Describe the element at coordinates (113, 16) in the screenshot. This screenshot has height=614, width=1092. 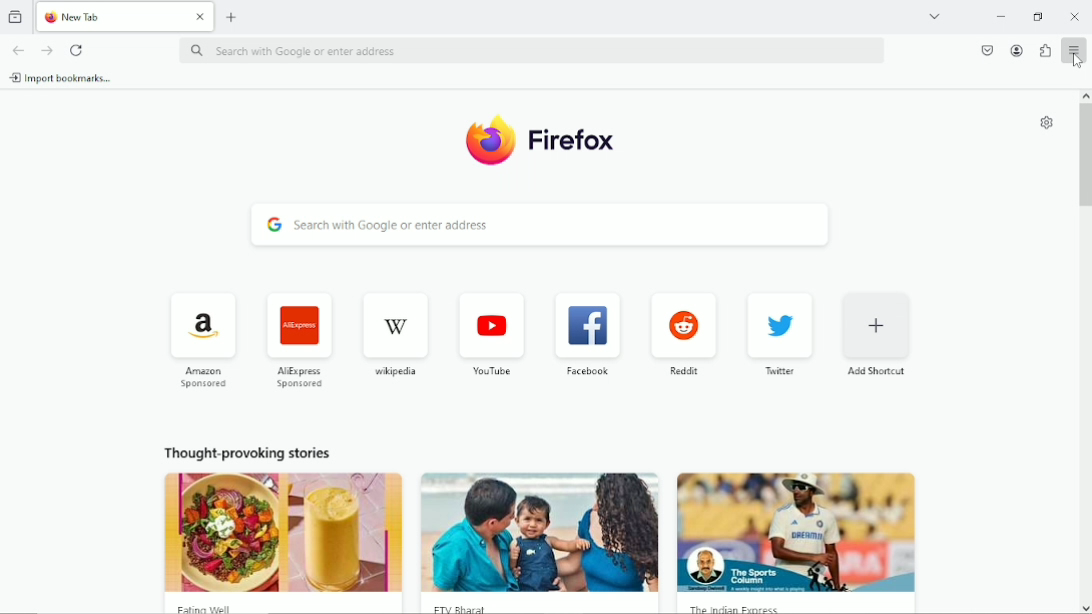
I see `New Tab` at that location.